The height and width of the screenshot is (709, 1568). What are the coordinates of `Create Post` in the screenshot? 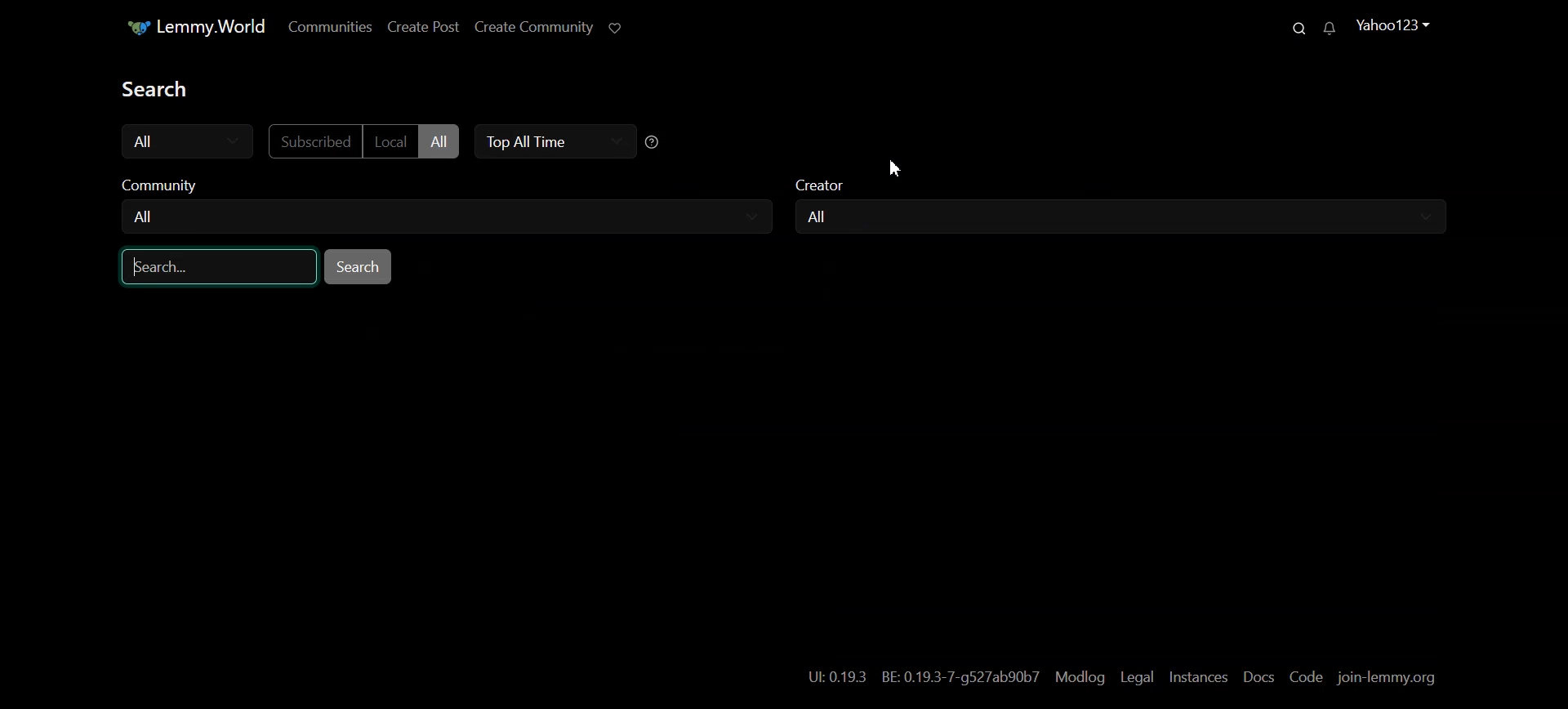 It's located at (422, 28).